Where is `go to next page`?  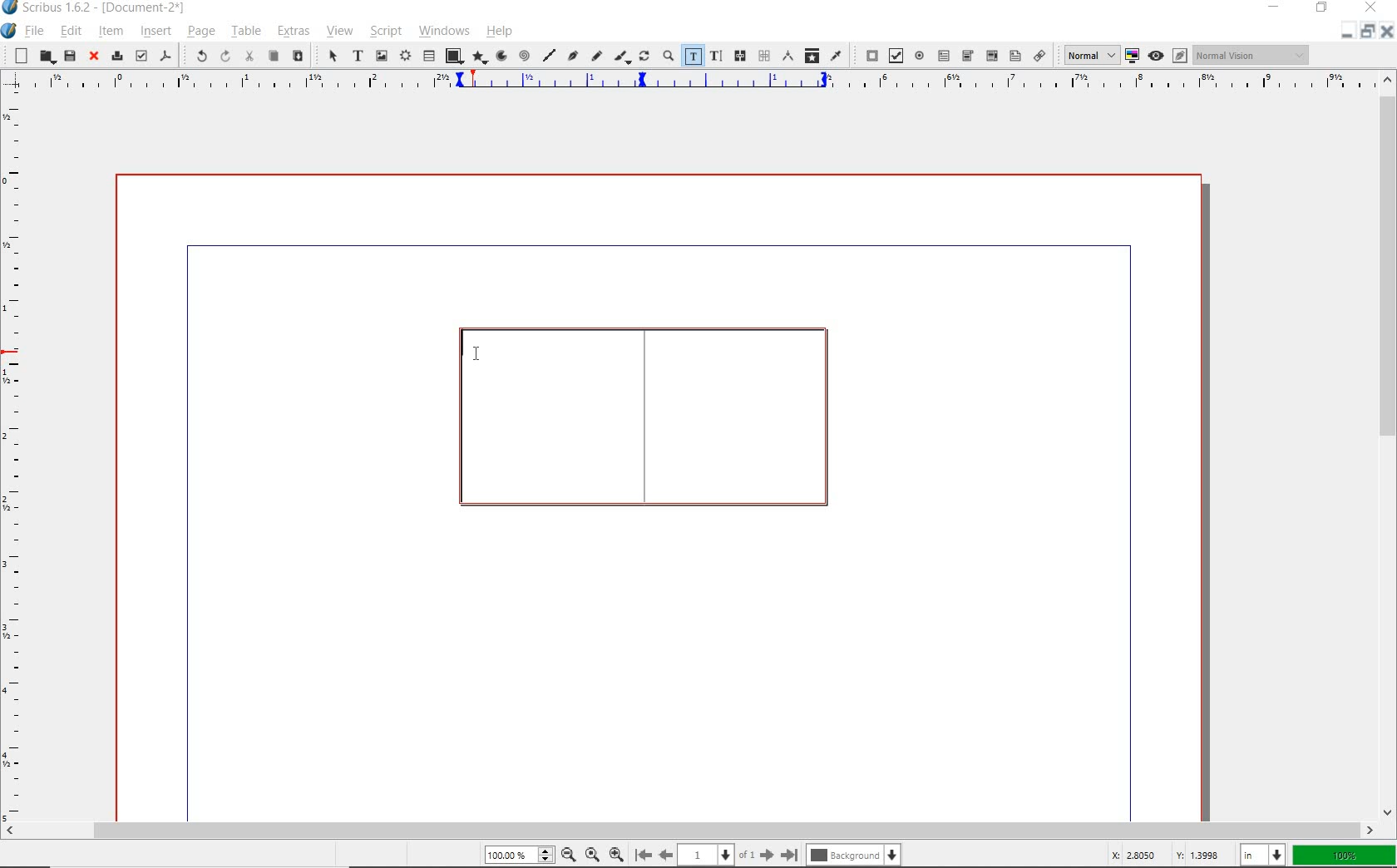 go to next page is located at coordinates (768, 855).